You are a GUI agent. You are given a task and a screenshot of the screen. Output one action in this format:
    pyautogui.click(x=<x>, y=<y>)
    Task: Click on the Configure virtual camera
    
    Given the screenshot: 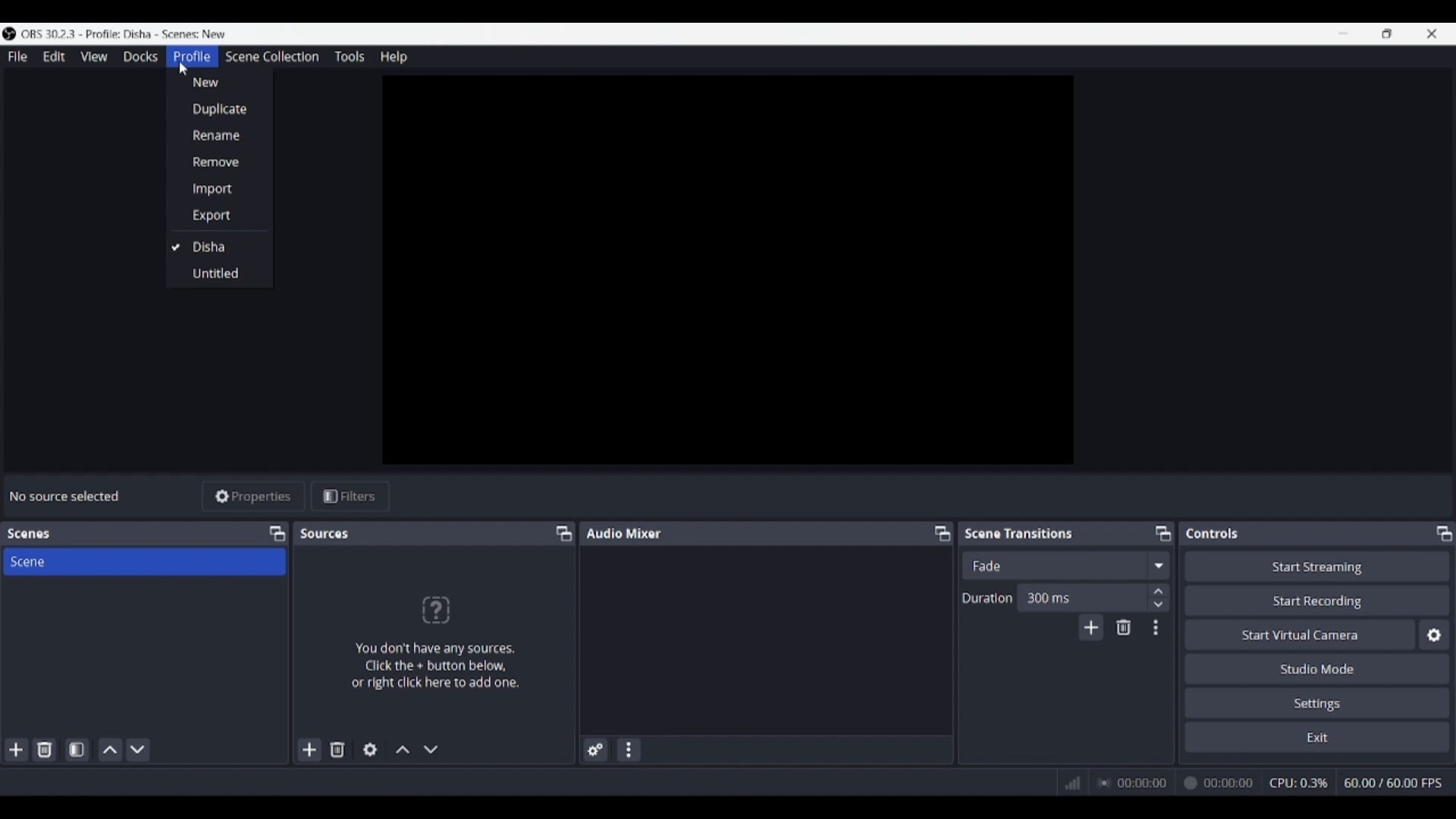 What is the action you would take?
    pyautogui.click(x=1434, y=635)
    